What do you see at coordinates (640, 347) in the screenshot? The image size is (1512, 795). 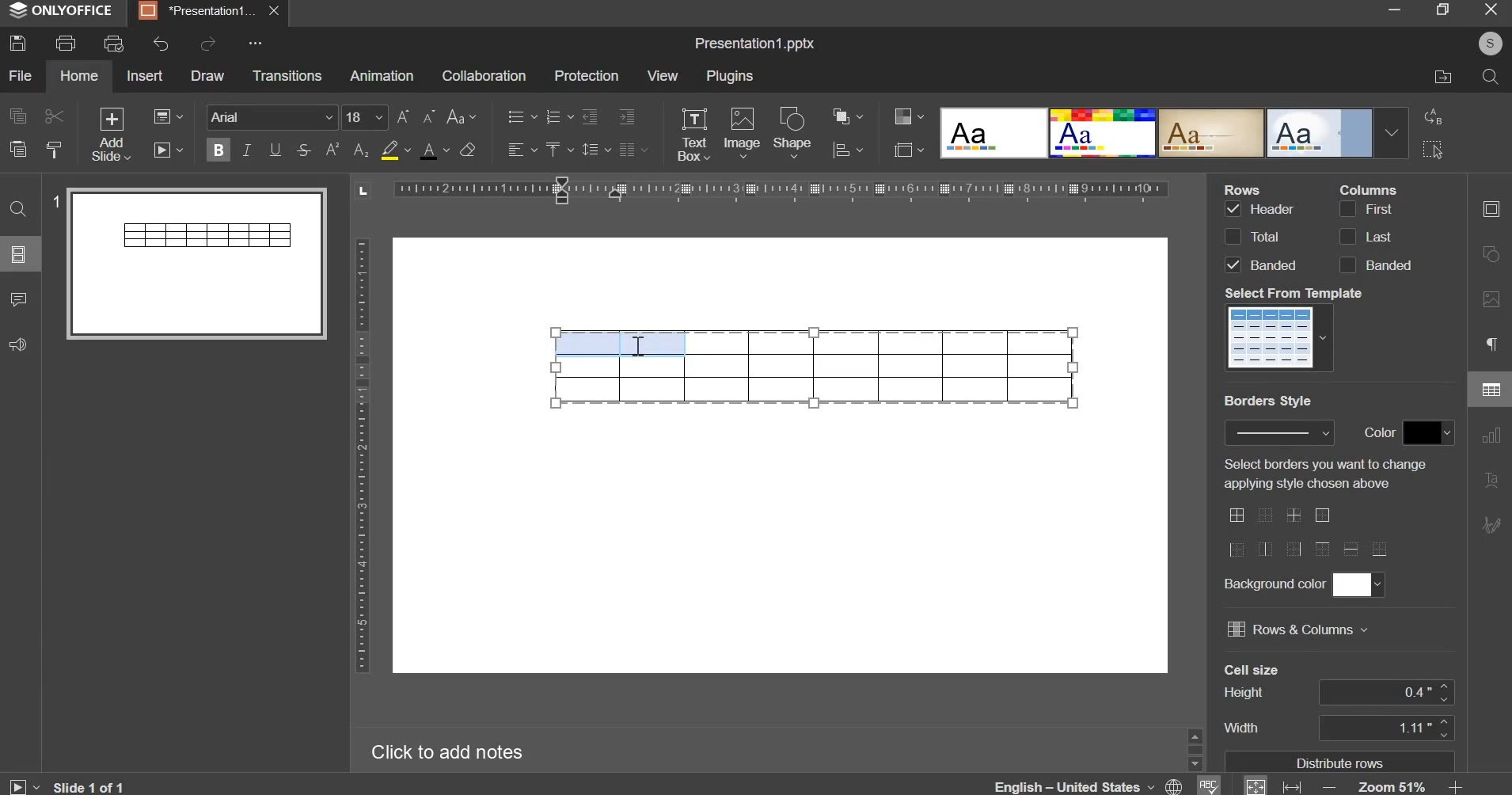 I see `text cursor` at bounding box center [640, 347].